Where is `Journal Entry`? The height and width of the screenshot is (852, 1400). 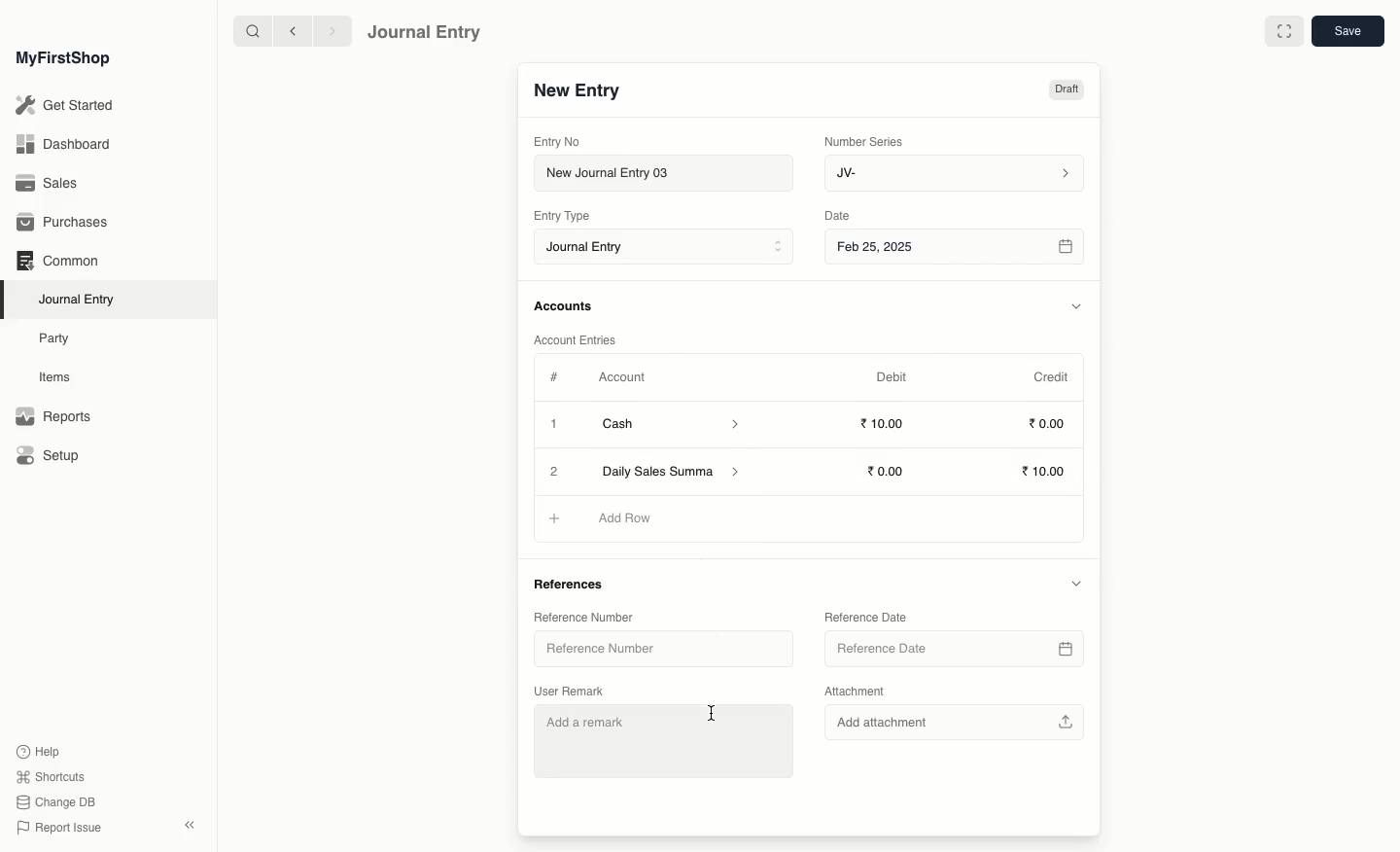 Journal Entry is located at coordinates (82, 299).